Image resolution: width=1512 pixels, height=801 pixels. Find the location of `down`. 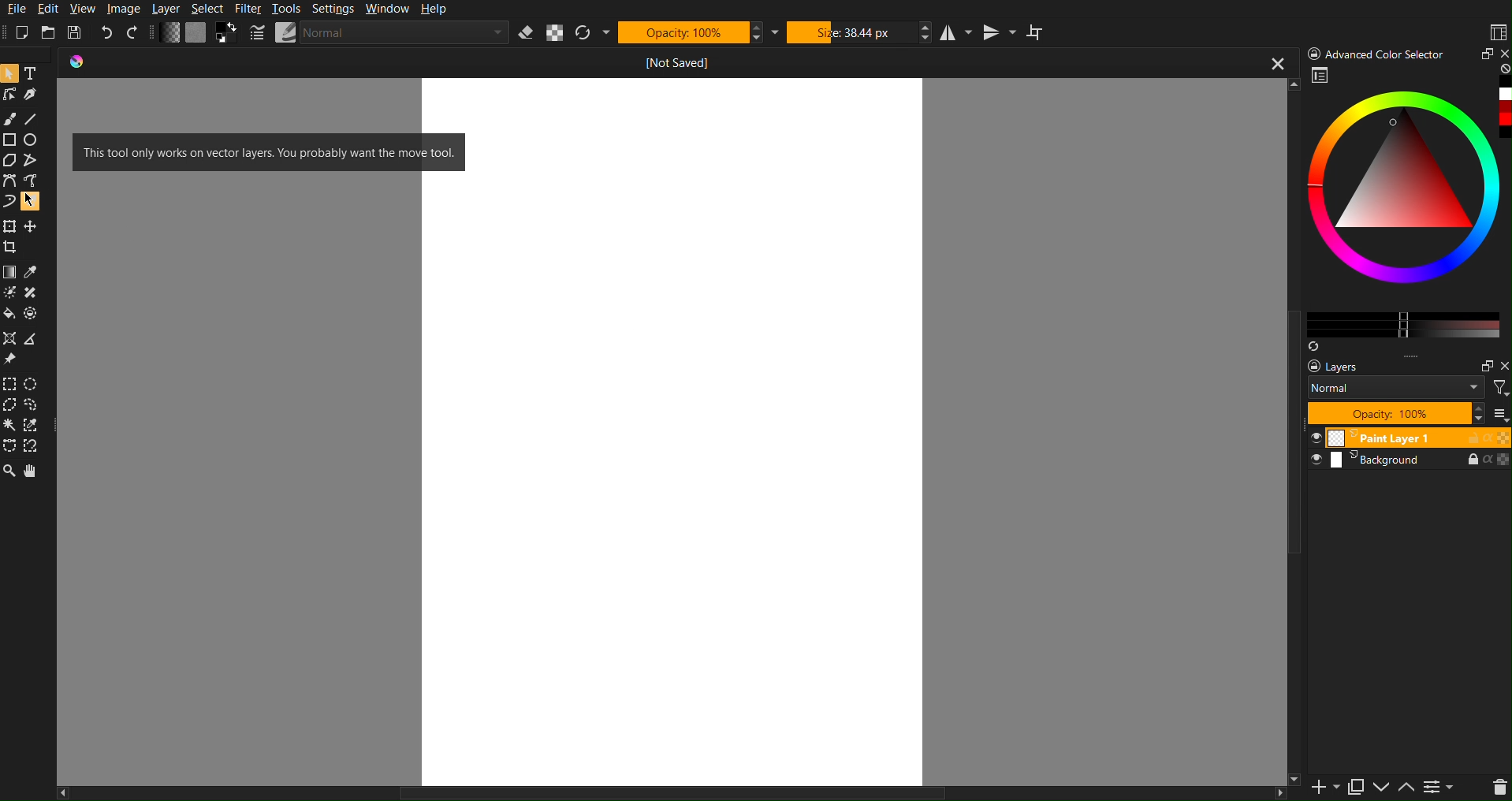

down is located at coordinates (1380, 788).